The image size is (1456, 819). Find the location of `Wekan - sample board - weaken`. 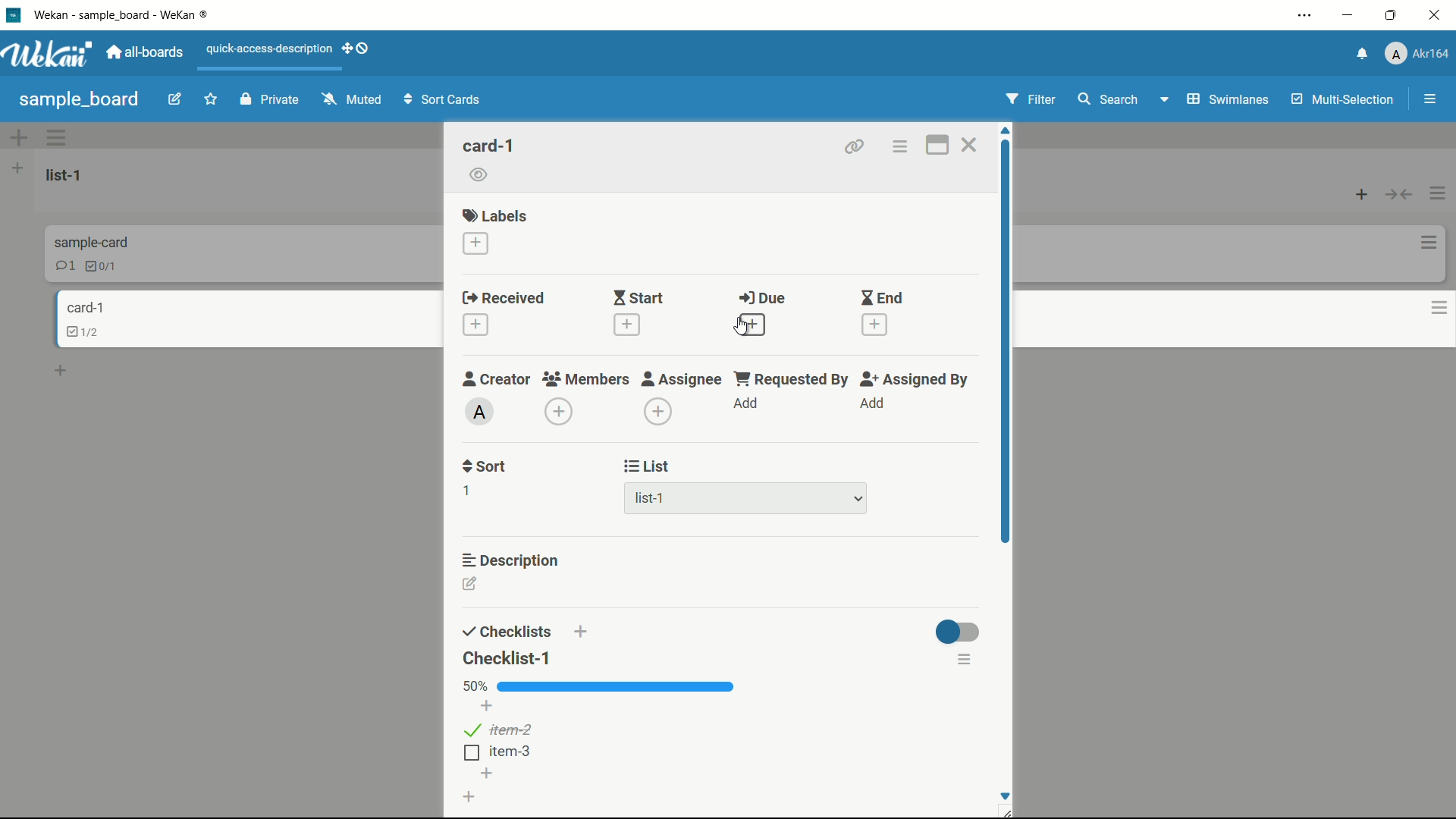

Wekan - sample board - weaken is located at coordinates (129, 16).